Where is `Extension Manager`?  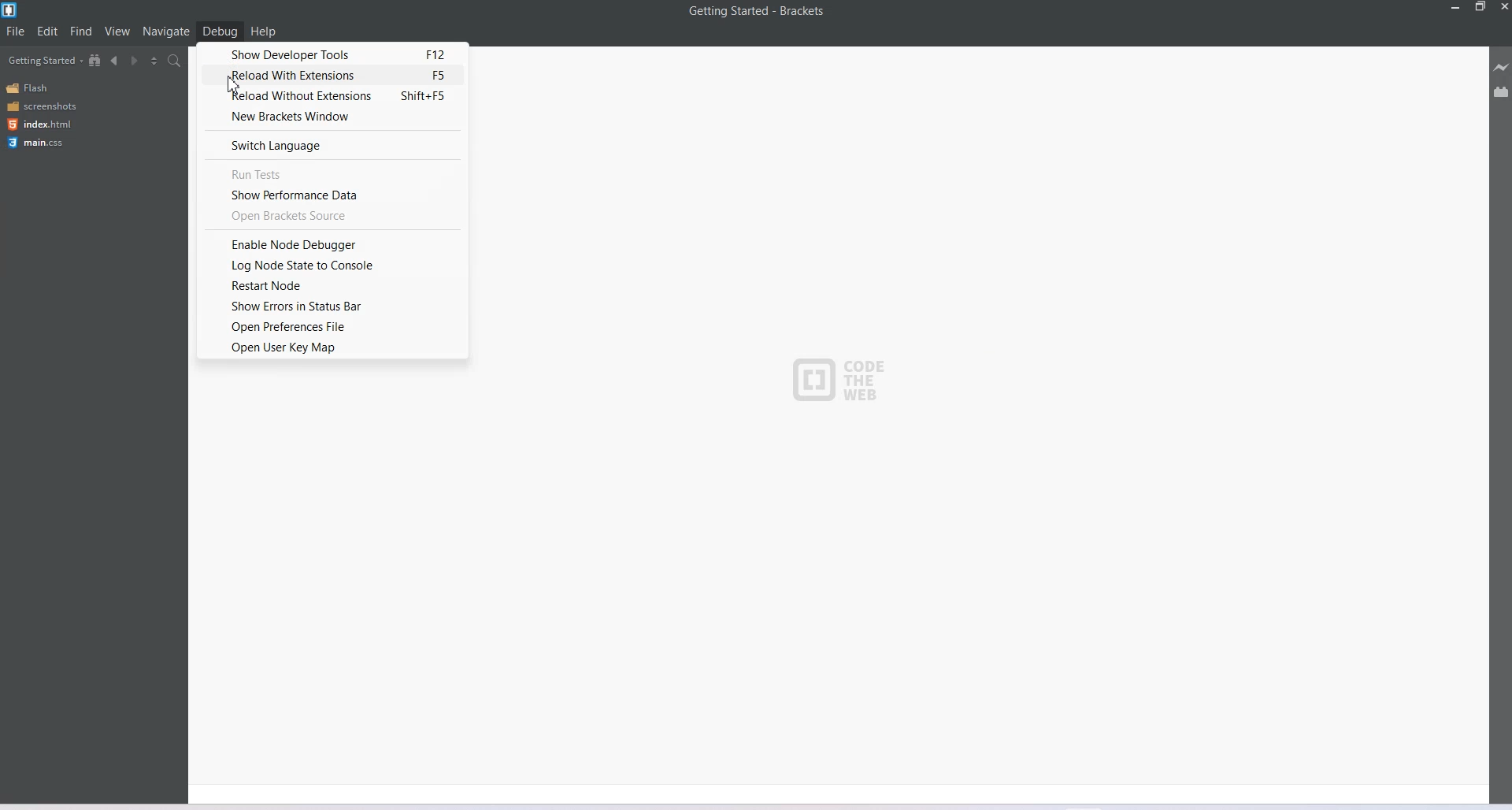 Extension Manager is located at coordinates (1502, 91).